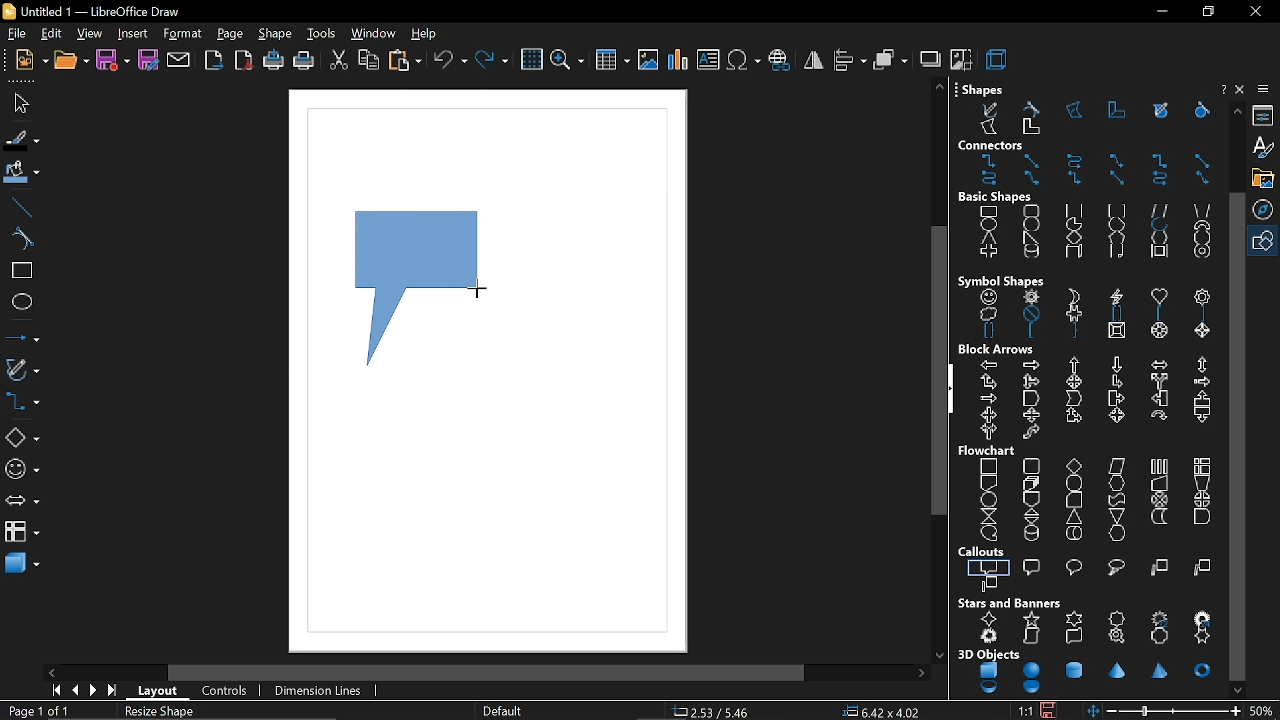 Image resolution: width=1280 pixels, height=720 pixels. I want to click on gallery, so click(1265, 178).